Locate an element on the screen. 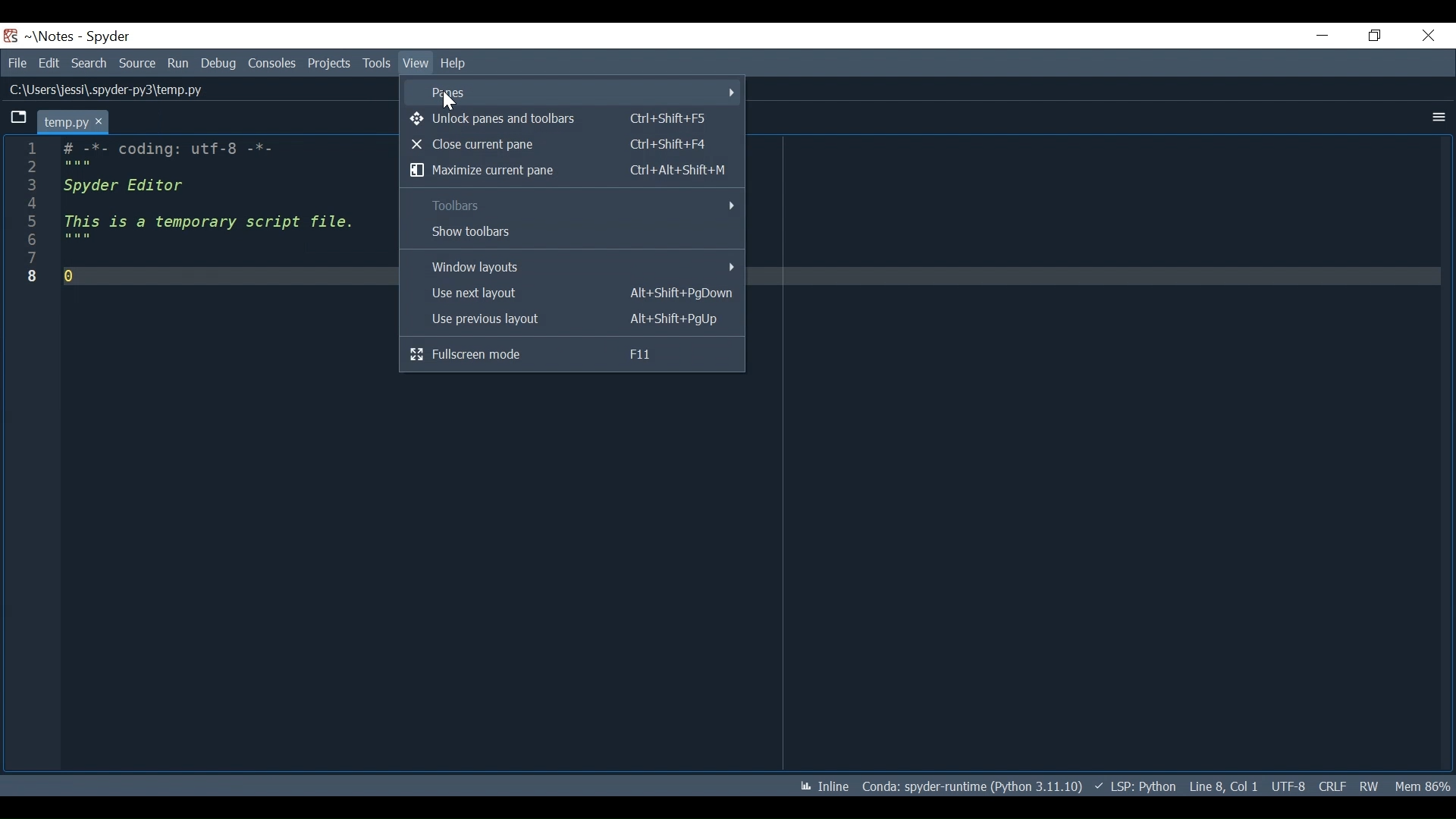  Close current pane is located at coordinates (570, 144).